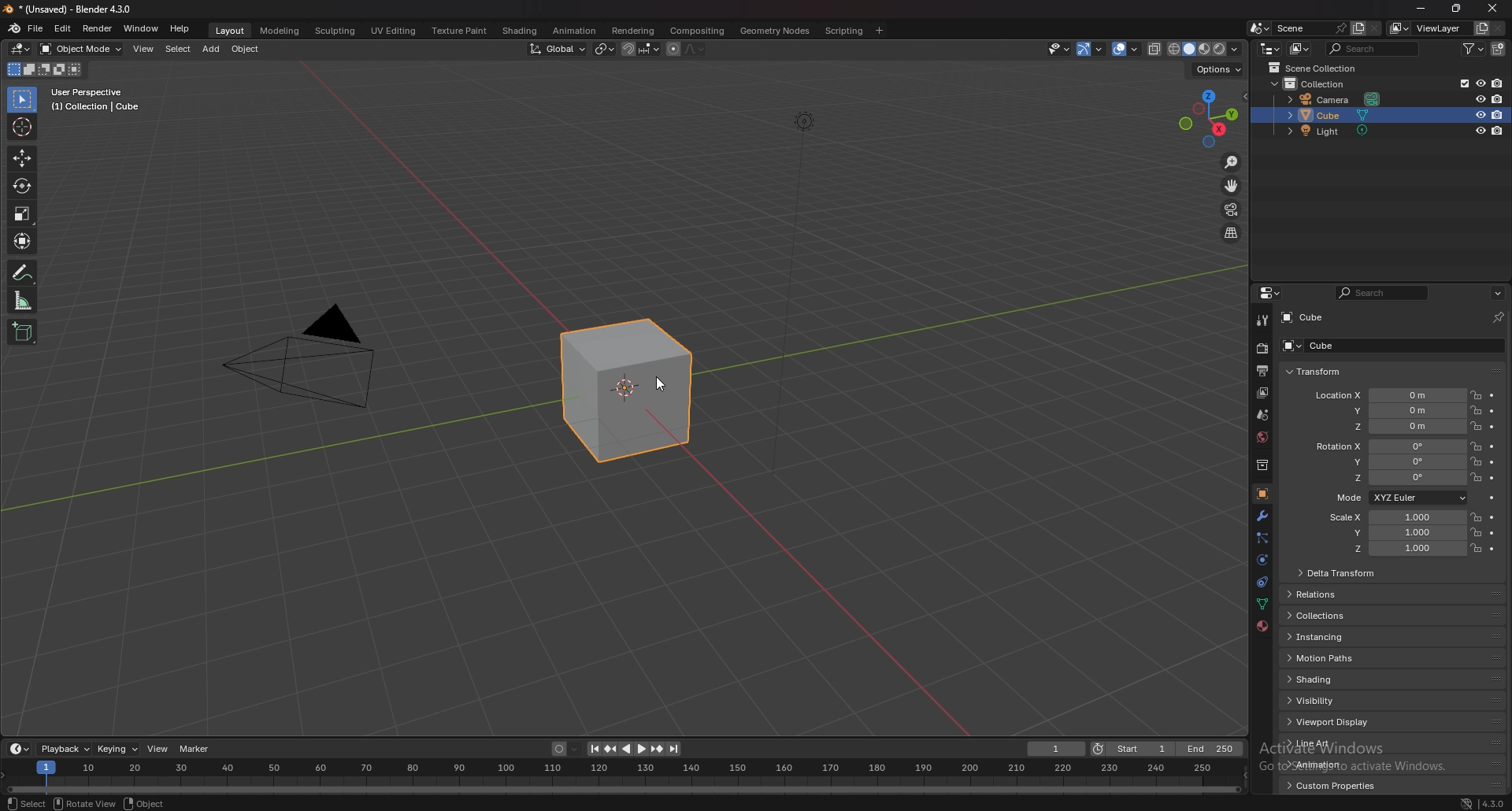  I want to click on camera, so click(313, 352).